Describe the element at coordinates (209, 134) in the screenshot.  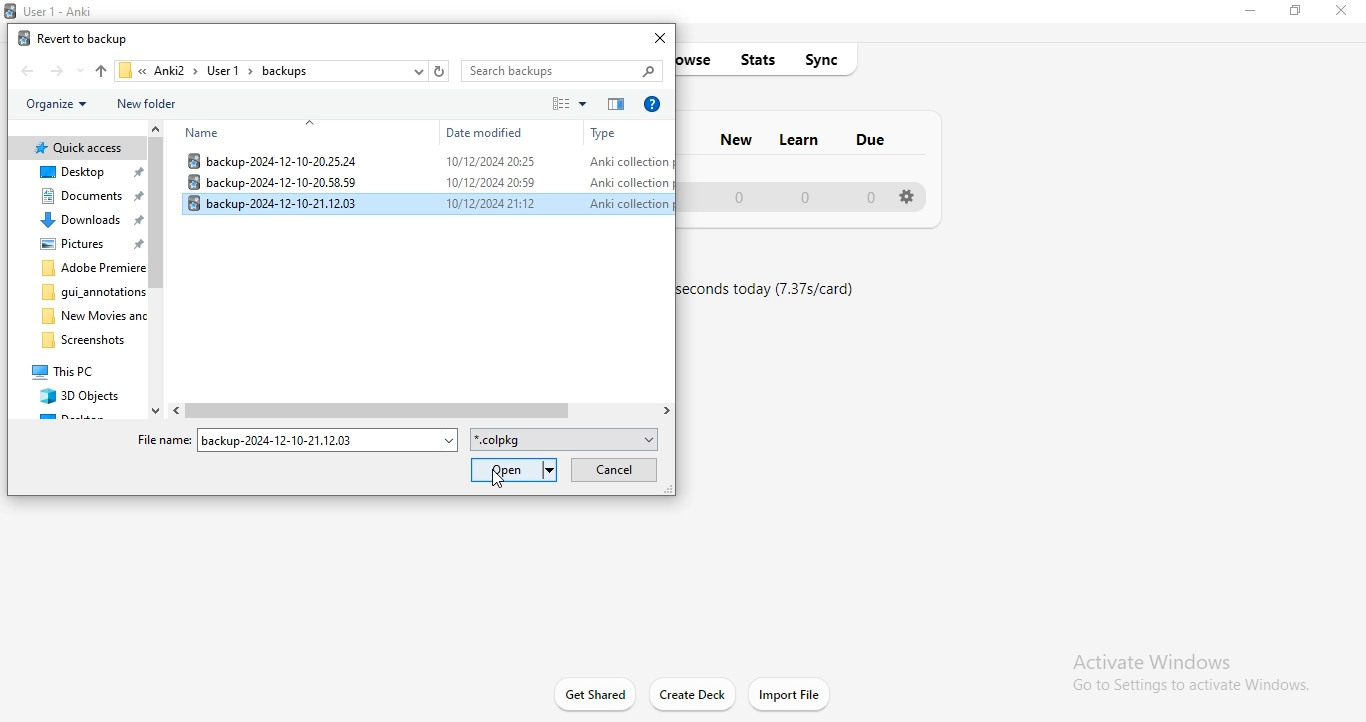
I see `name` at that location.